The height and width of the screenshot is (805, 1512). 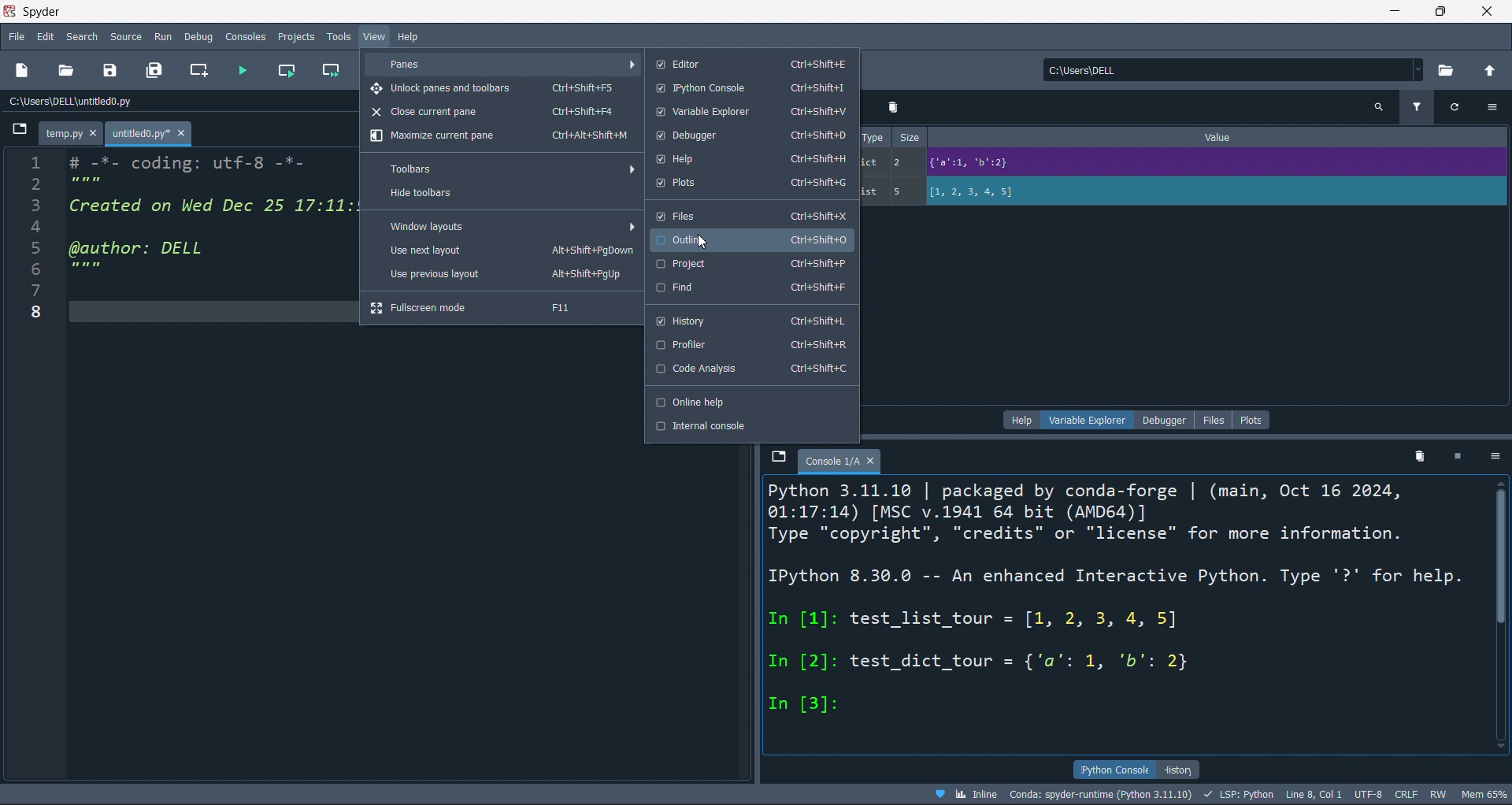 I want to click on open directory, so click(x=1453, y=69).